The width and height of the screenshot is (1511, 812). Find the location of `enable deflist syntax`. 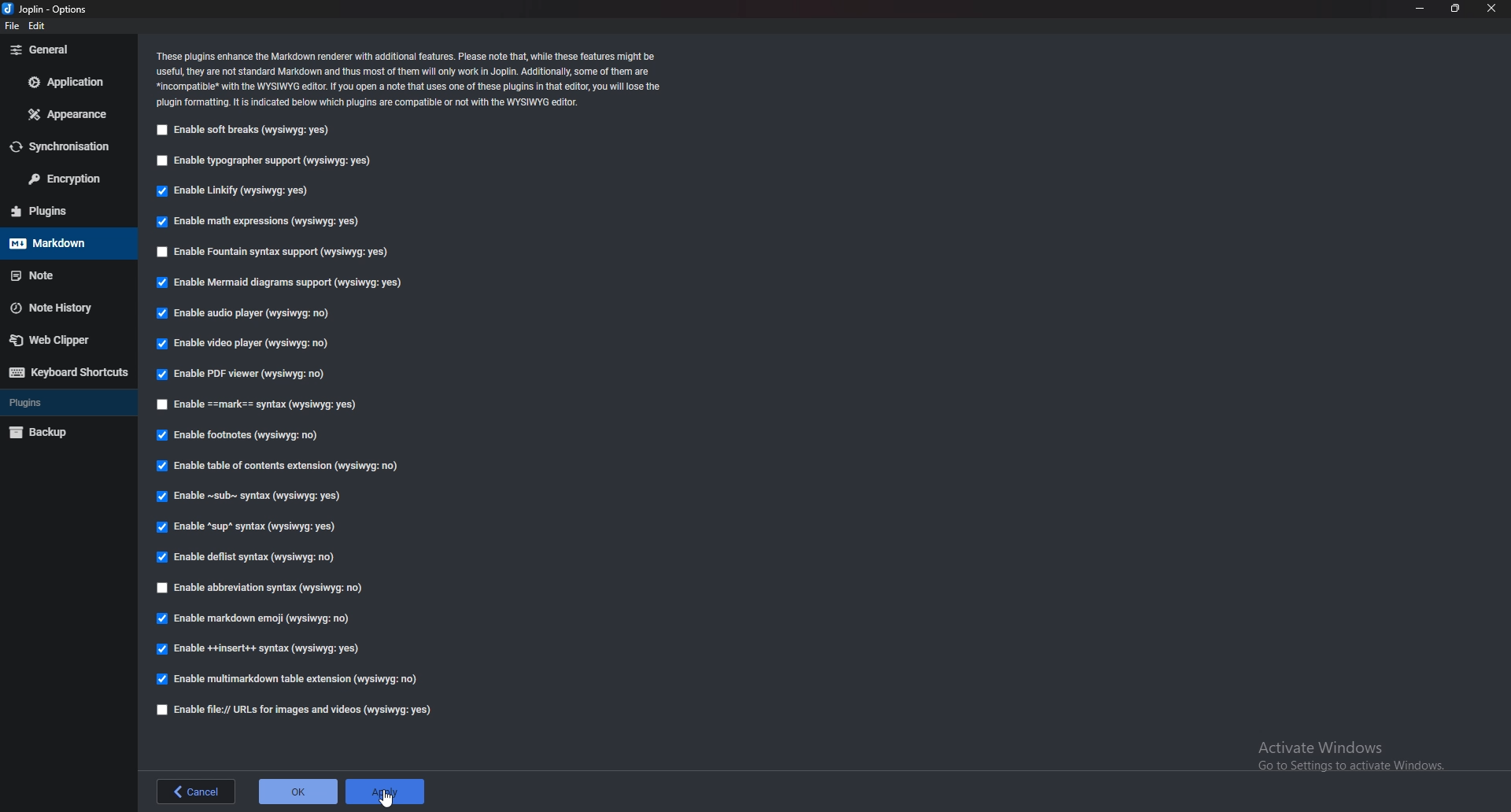

enable deflist syntax is located at coordinates (249, 559).